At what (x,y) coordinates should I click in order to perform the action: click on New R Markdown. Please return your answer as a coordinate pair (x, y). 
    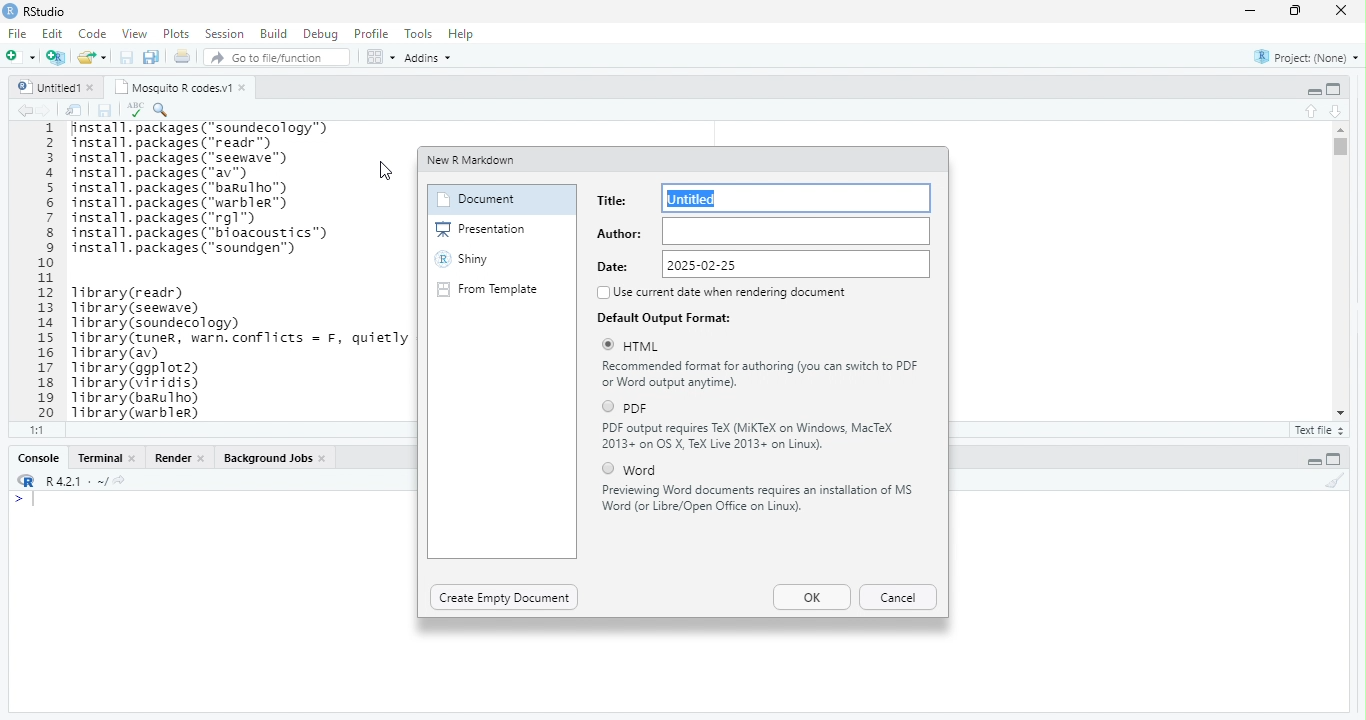
    Looking at the image, I should click on (473, 161).